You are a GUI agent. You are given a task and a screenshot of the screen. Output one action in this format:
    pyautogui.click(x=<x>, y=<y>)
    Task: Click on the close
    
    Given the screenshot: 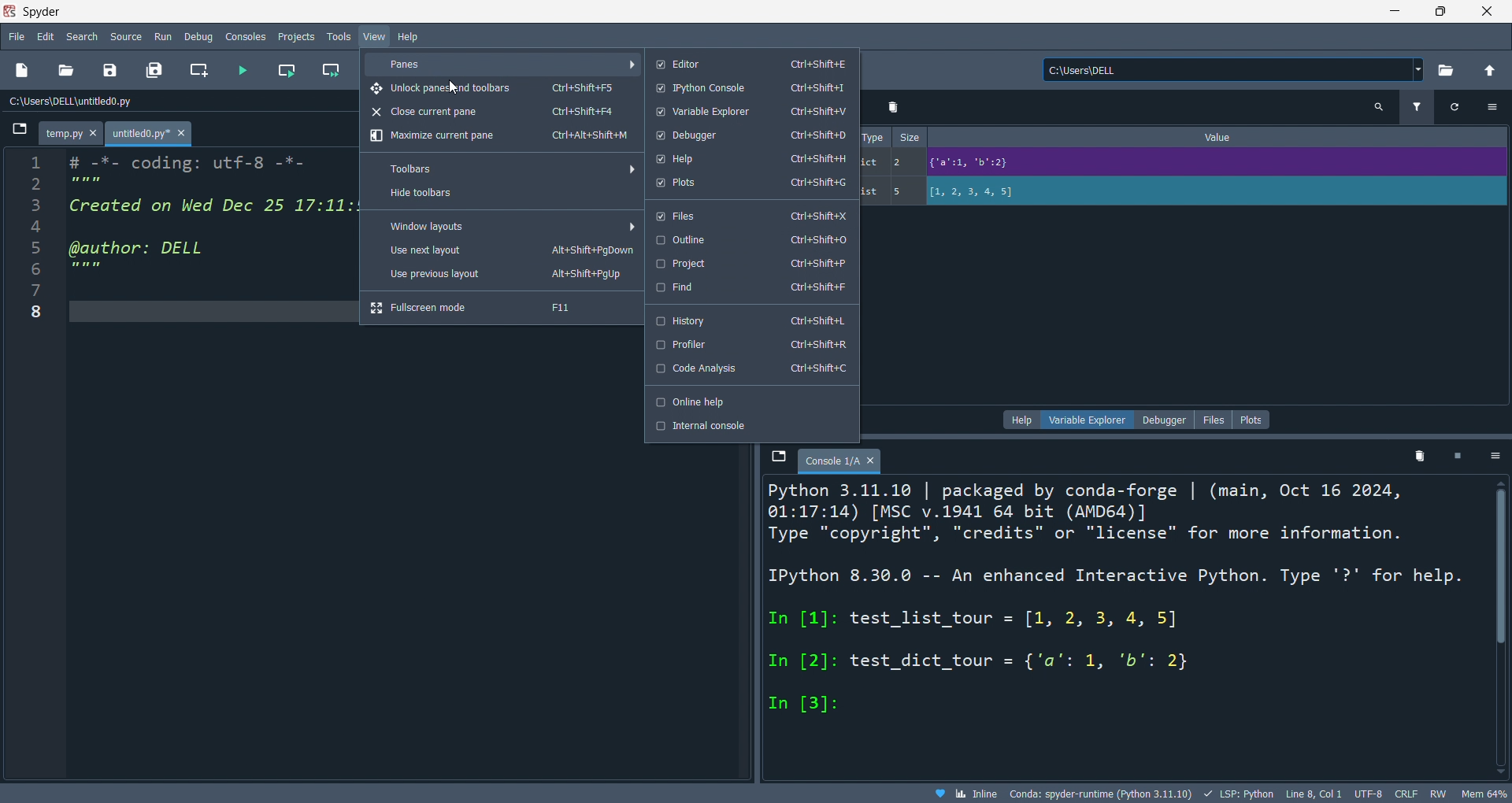 What is the action you would take?
    pyautogui.click(x=1488, y=11)
    